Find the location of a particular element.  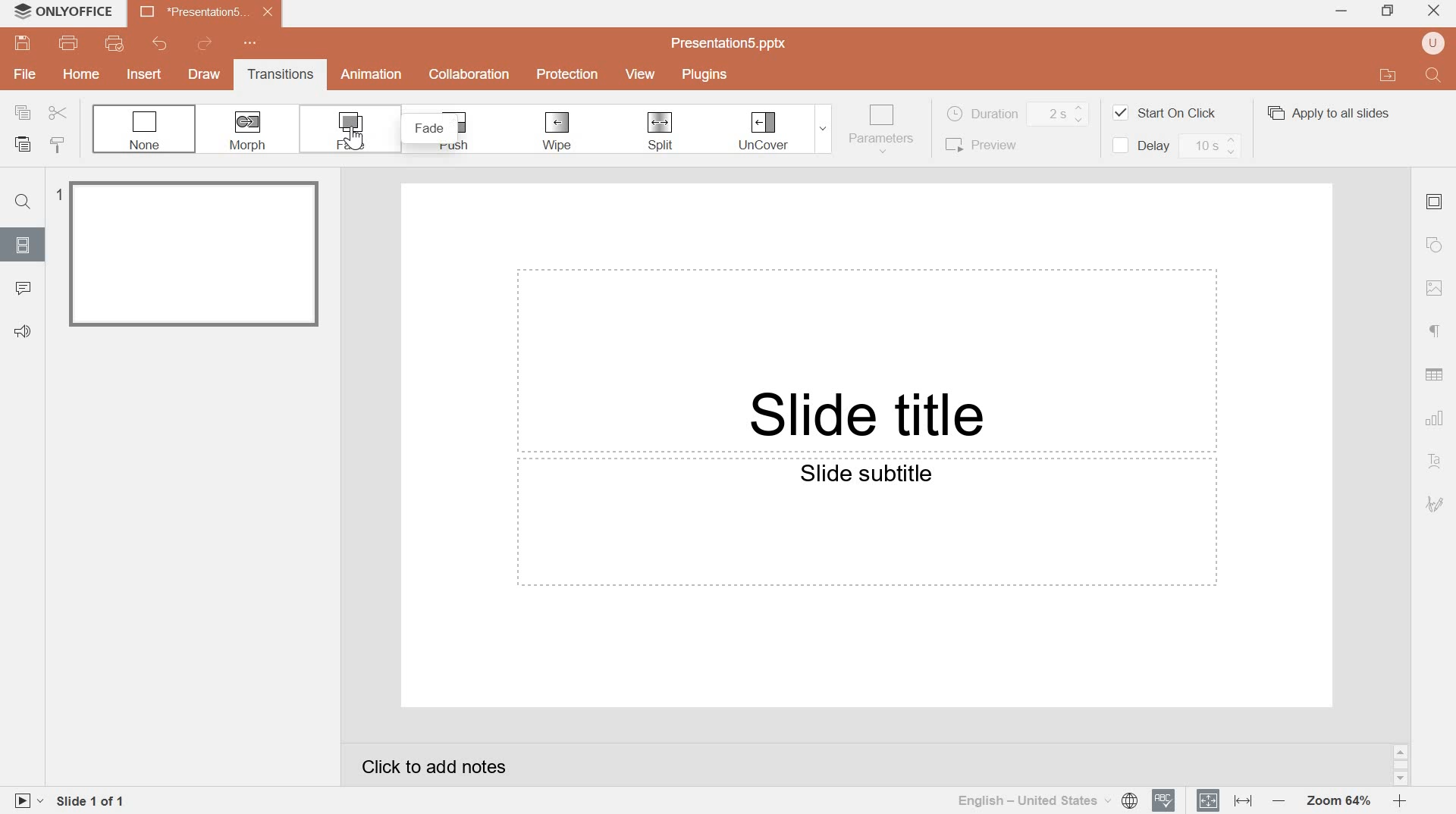

Image is located at coordinates (1436, 288).